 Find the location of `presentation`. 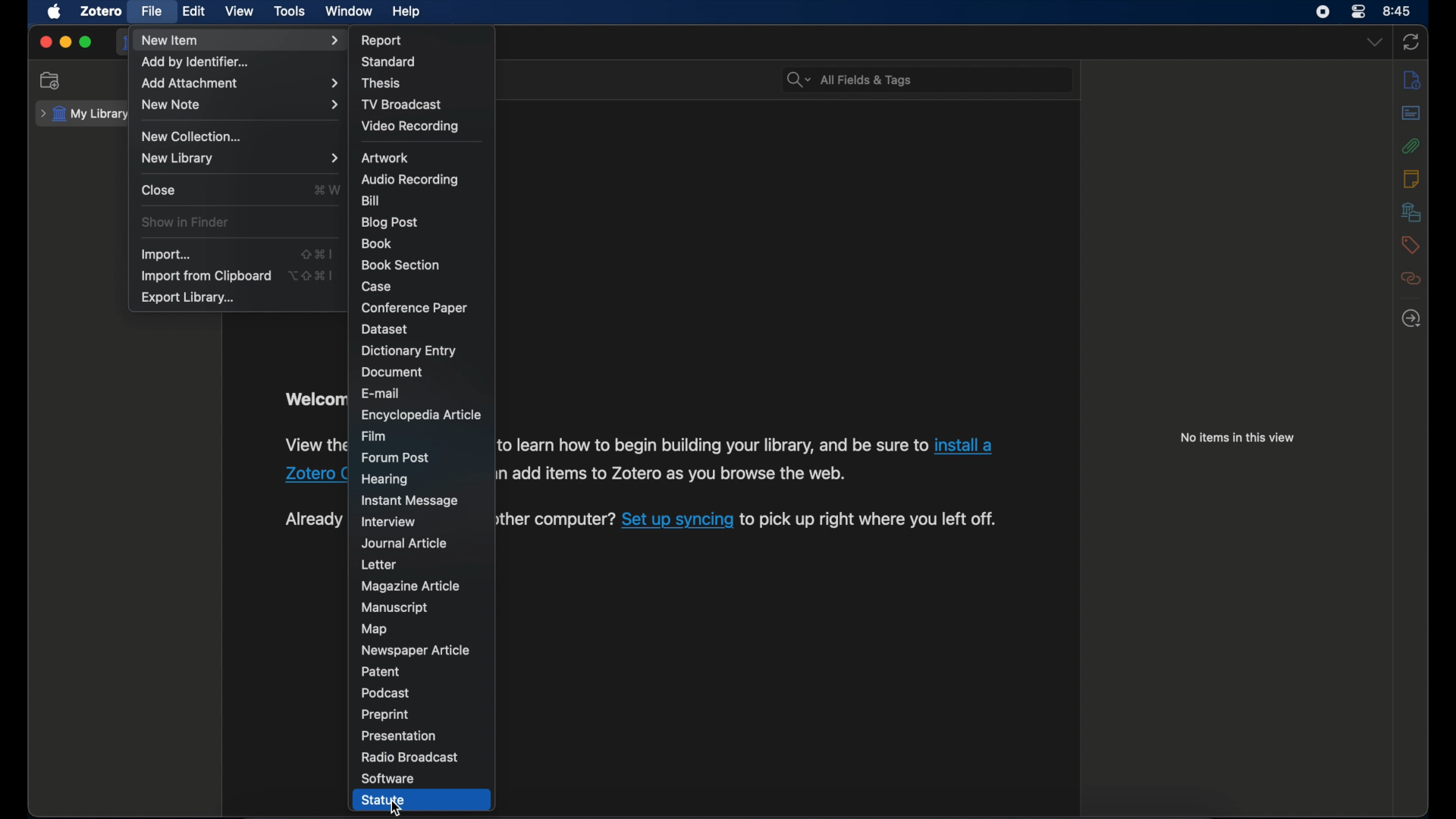

presentation is located at coordinates (400, 736).